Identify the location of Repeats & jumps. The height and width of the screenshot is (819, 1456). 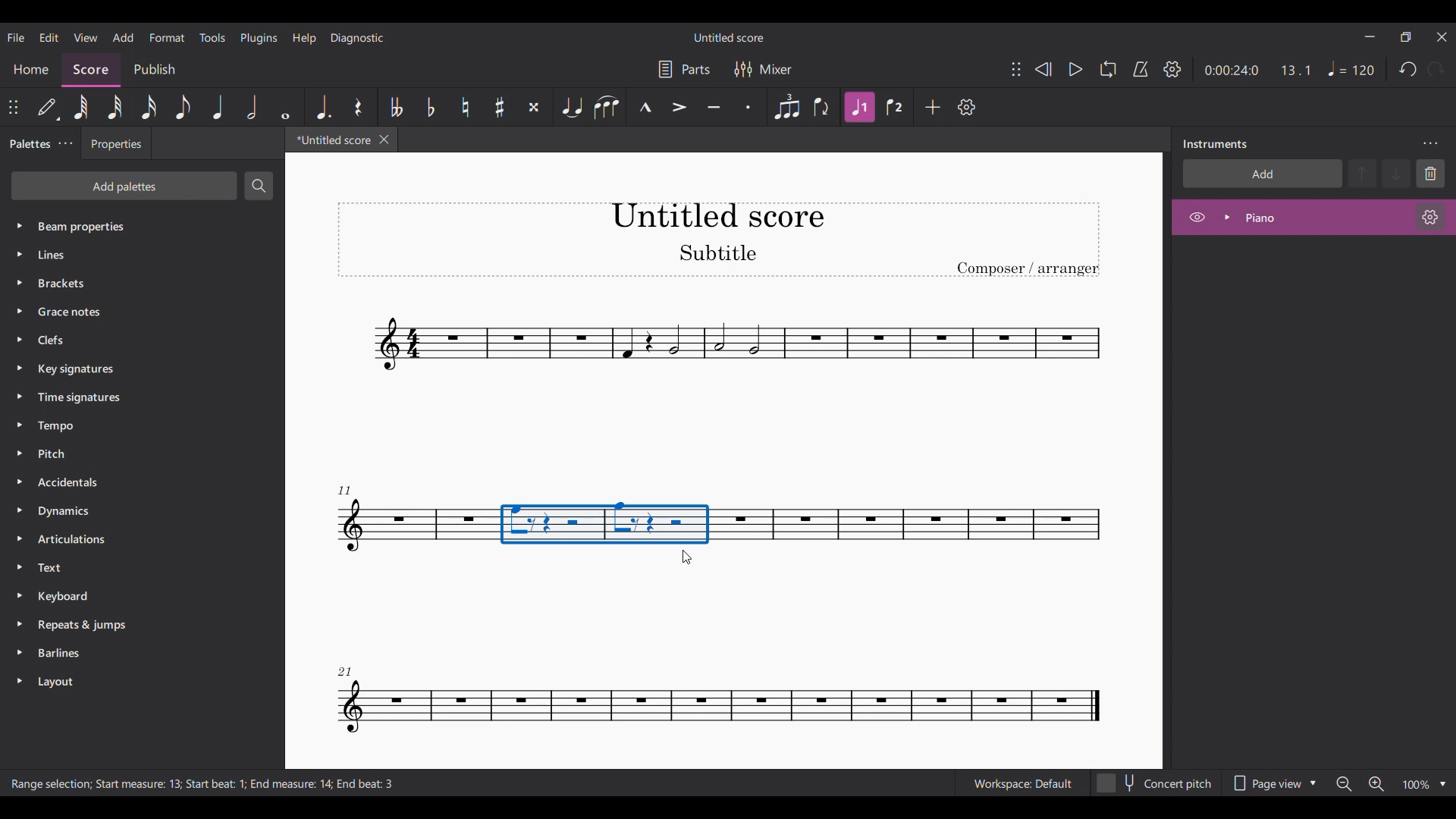
(130, 624).